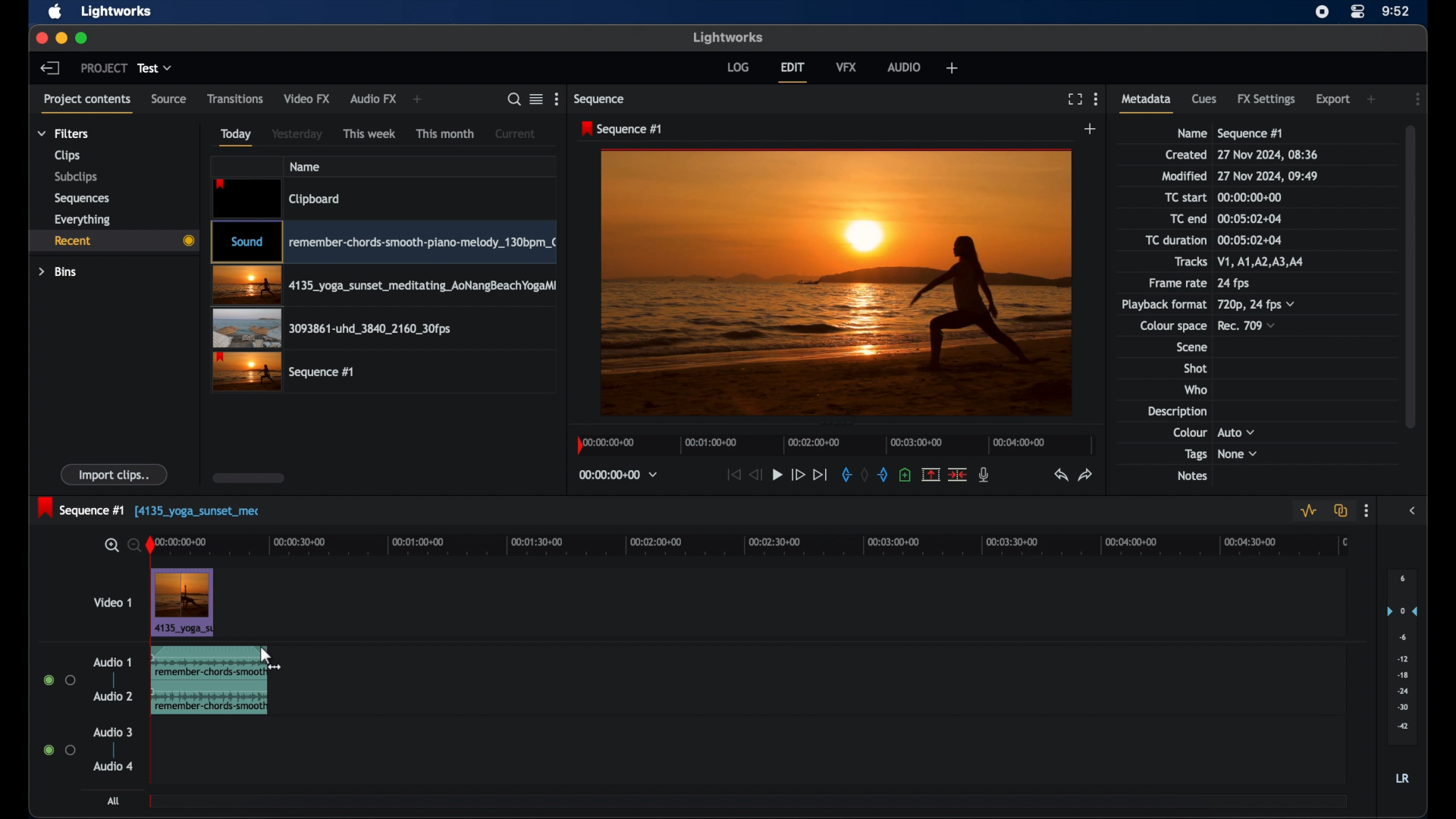 The width and height of the screenshot is (1456, 819). I want to click on recent, so click(113, 243).